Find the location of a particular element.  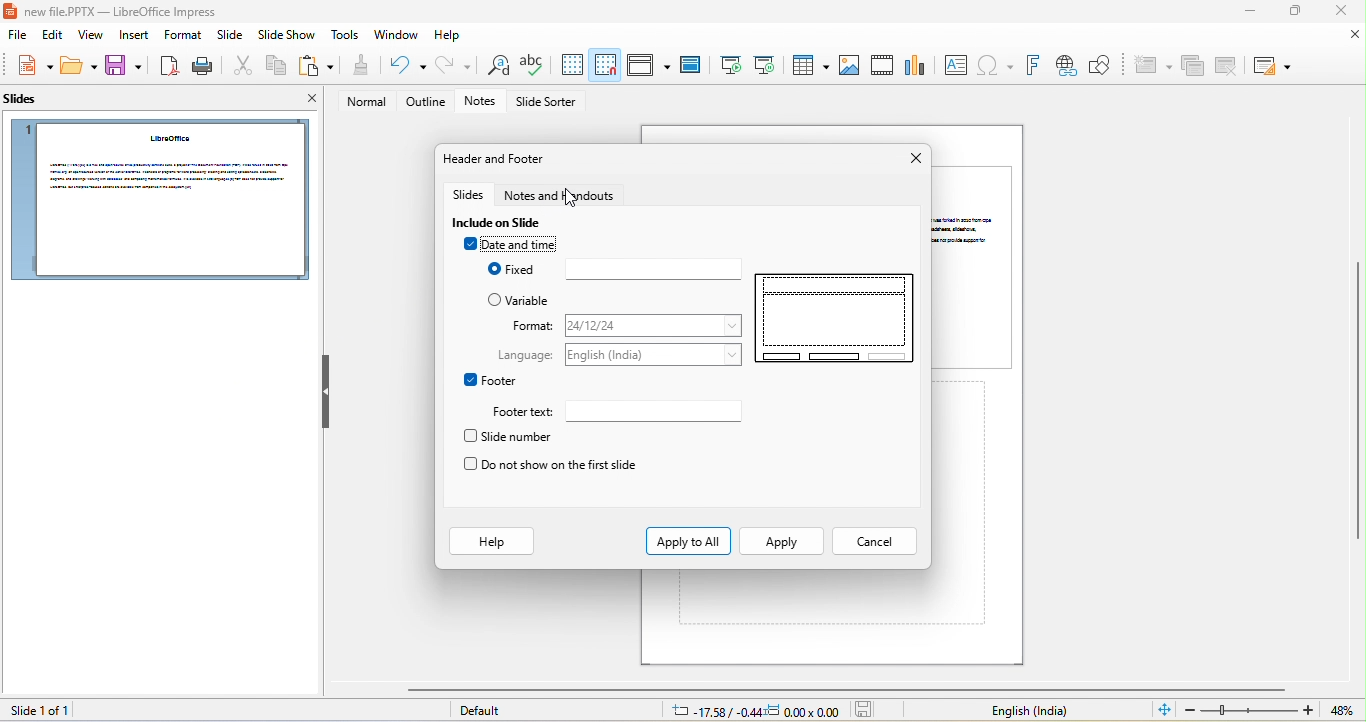

help is located at coordinates (491, 542).